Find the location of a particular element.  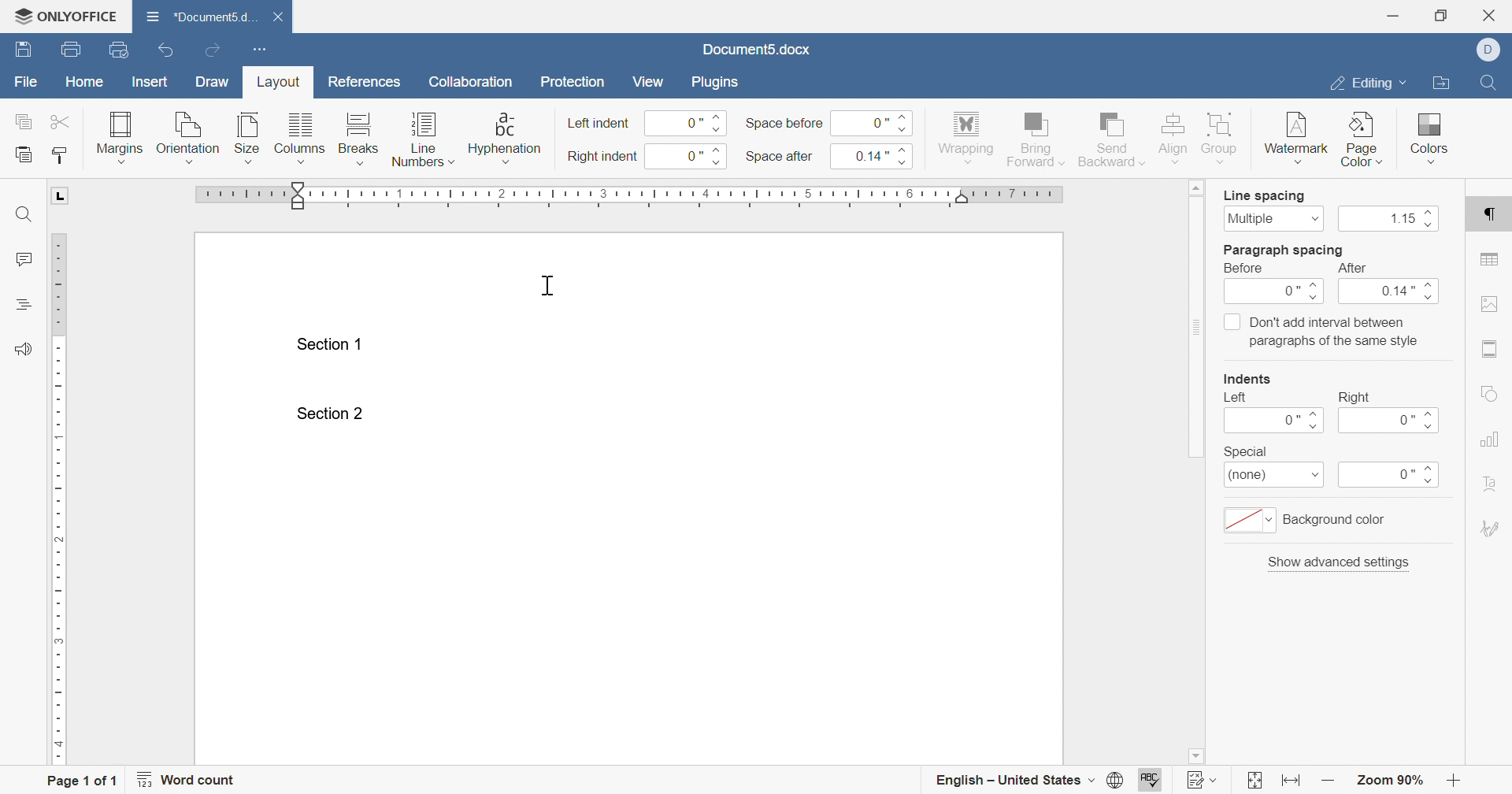

0 is located at coordinates (1392, 421).